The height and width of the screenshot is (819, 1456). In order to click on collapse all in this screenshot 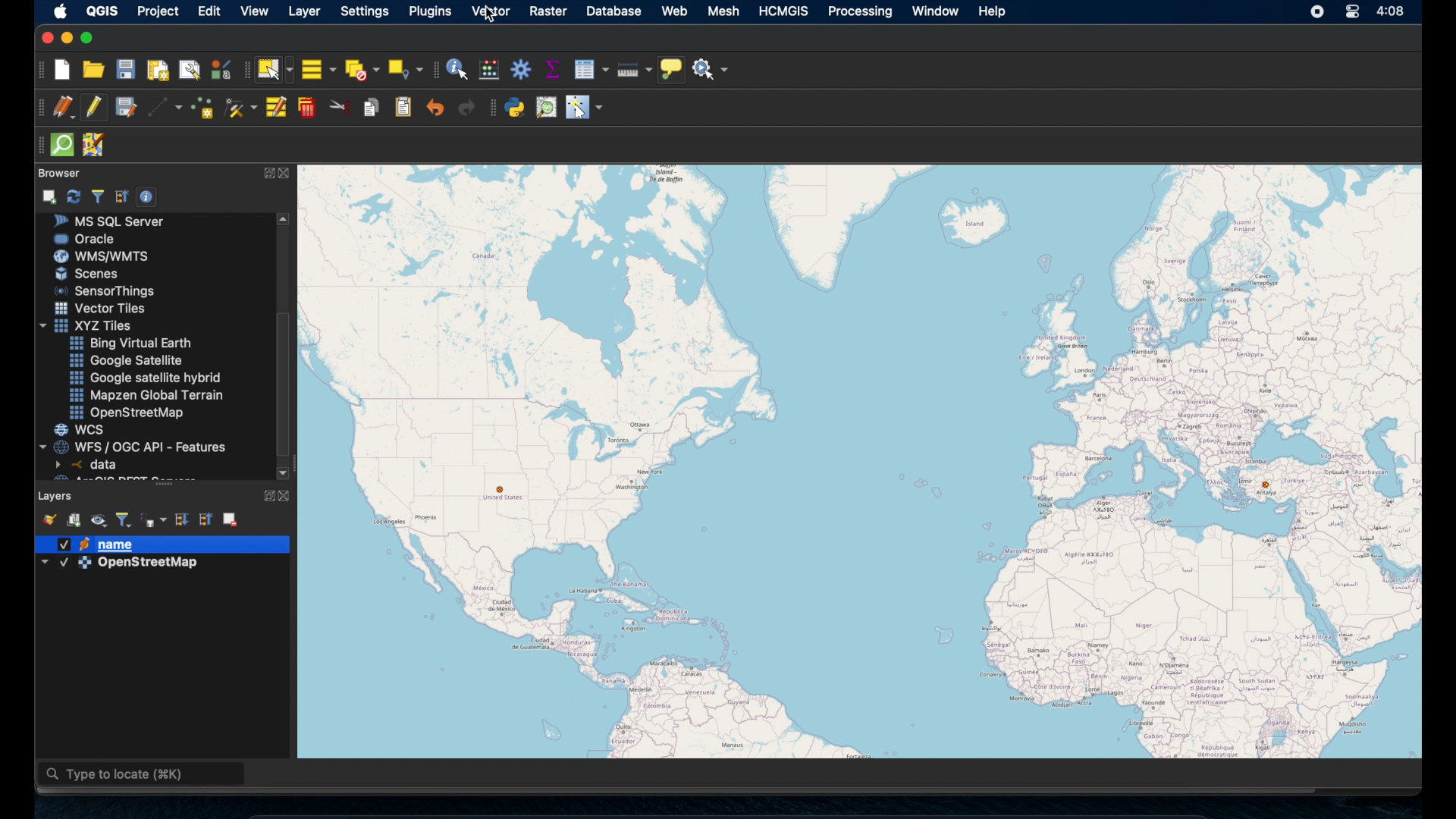, I will do `click(207, 519)`.